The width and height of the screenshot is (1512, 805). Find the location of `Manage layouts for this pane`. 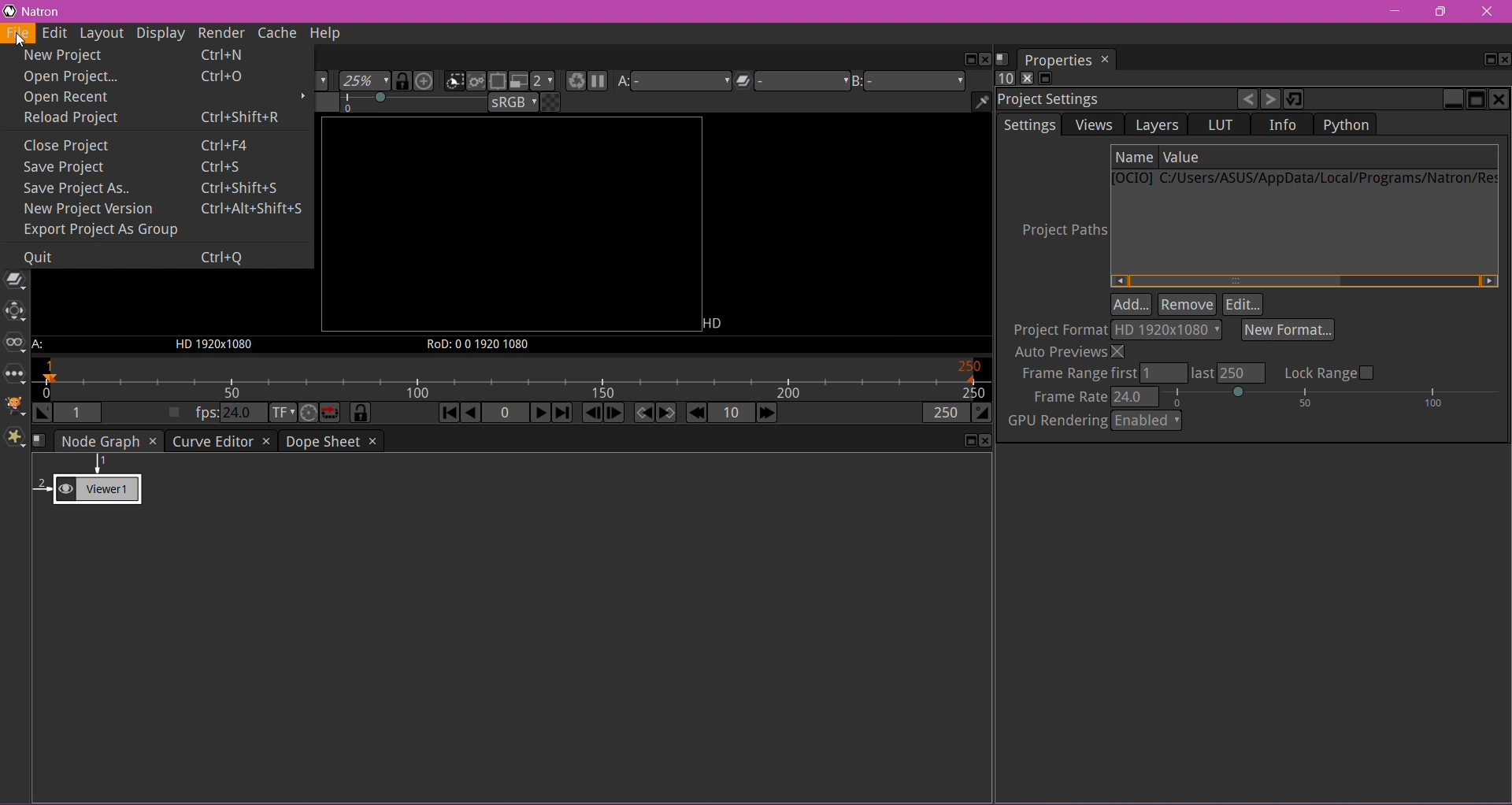

Manage layouts for this pane is located at coordinates (1006, 58).